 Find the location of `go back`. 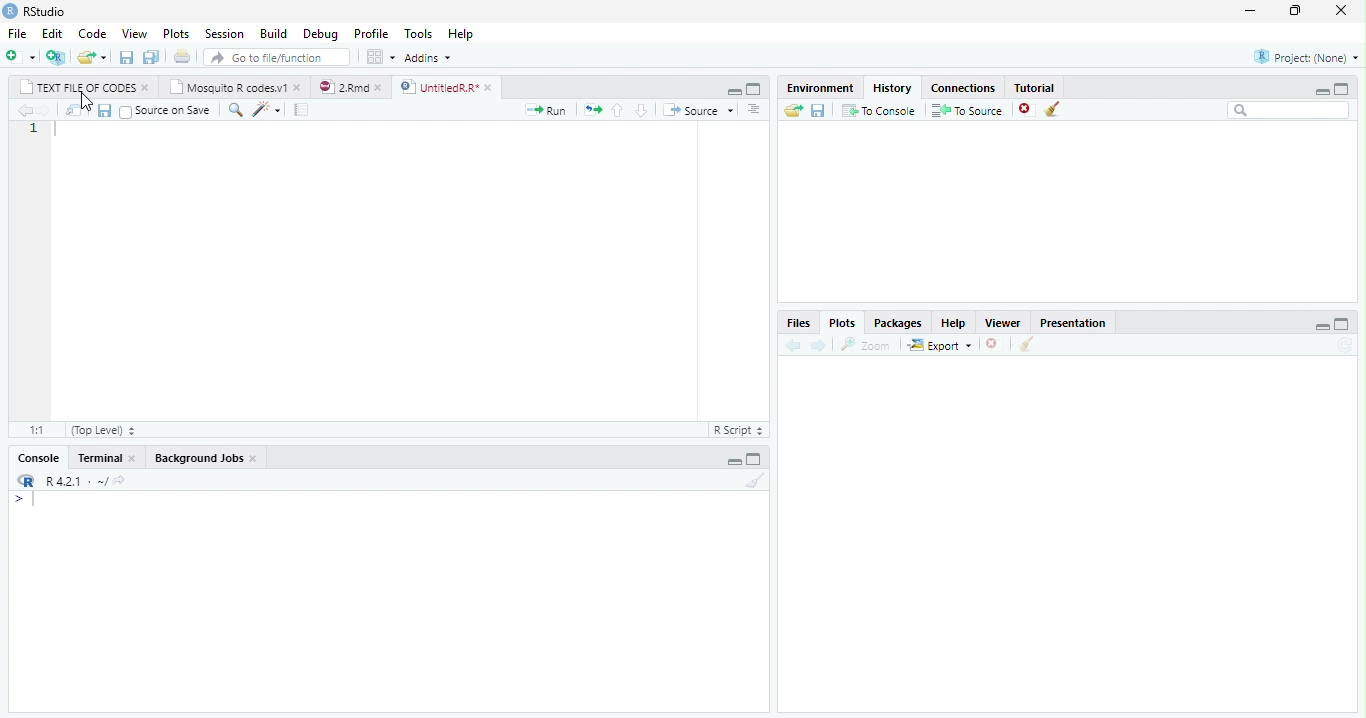

go back is located at coordinates (21, 110).